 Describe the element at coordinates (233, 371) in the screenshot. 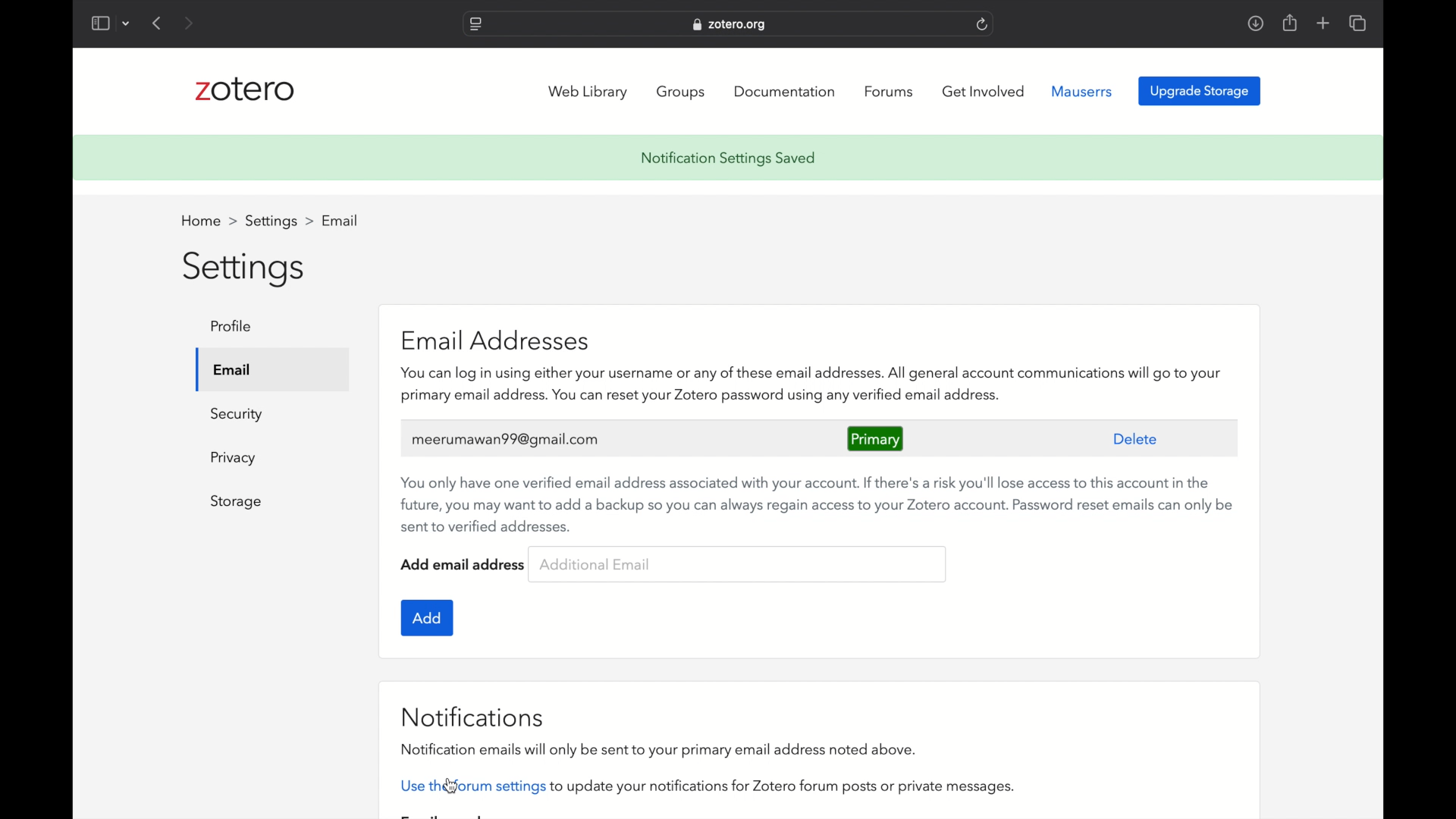

I see `email` at that location.